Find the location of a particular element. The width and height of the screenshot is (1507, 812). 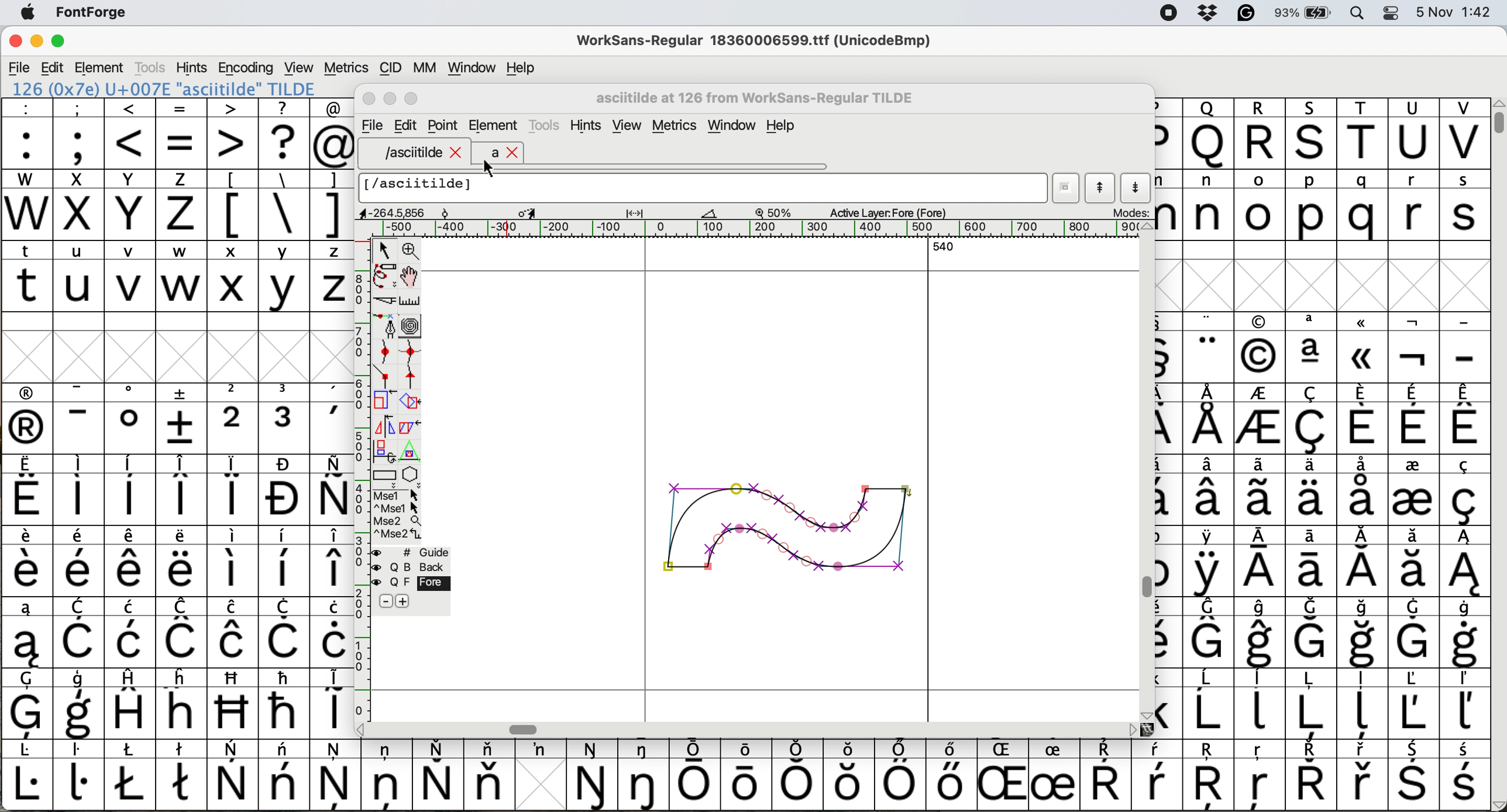

symbol is located at coordinates (1105, 776).